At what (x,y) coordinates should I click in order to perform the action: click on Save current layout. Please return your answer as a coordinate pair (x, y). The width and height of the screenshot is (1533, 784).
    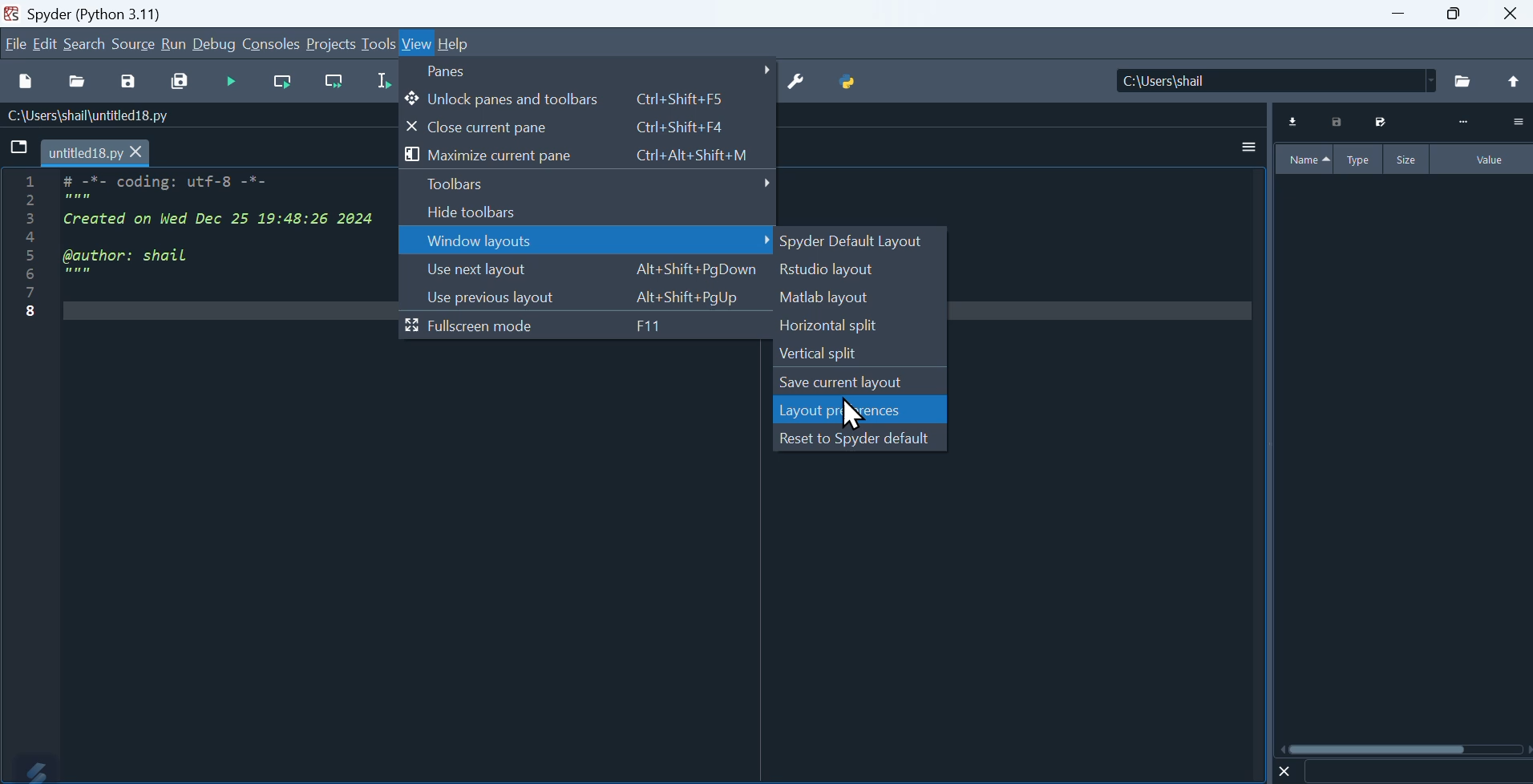
    Looking at the image, I should click on (860, 382).